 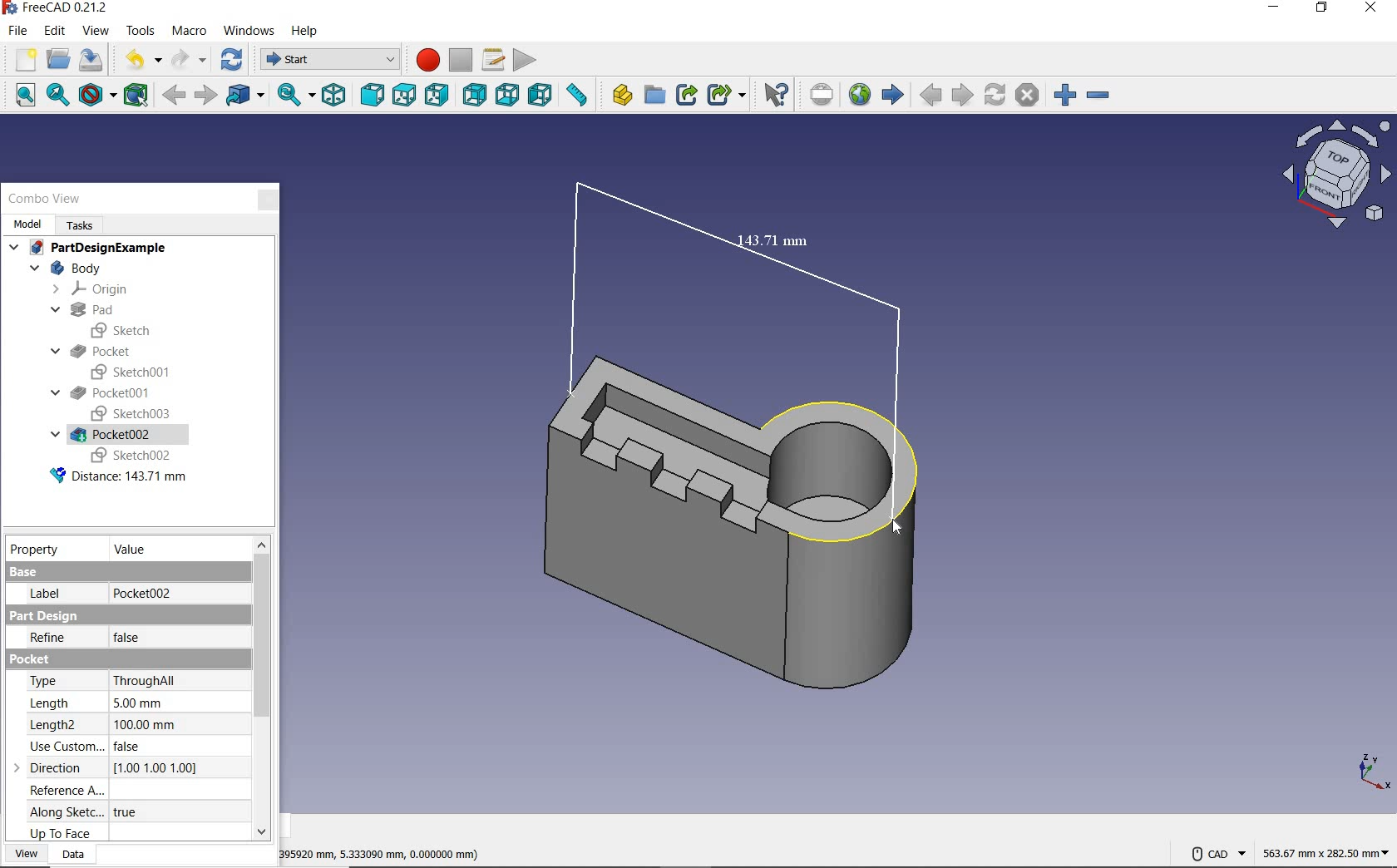 What do you see at coordinates (60, 724) in the screenshot?
I see `length` at bounding box center [60, 724].